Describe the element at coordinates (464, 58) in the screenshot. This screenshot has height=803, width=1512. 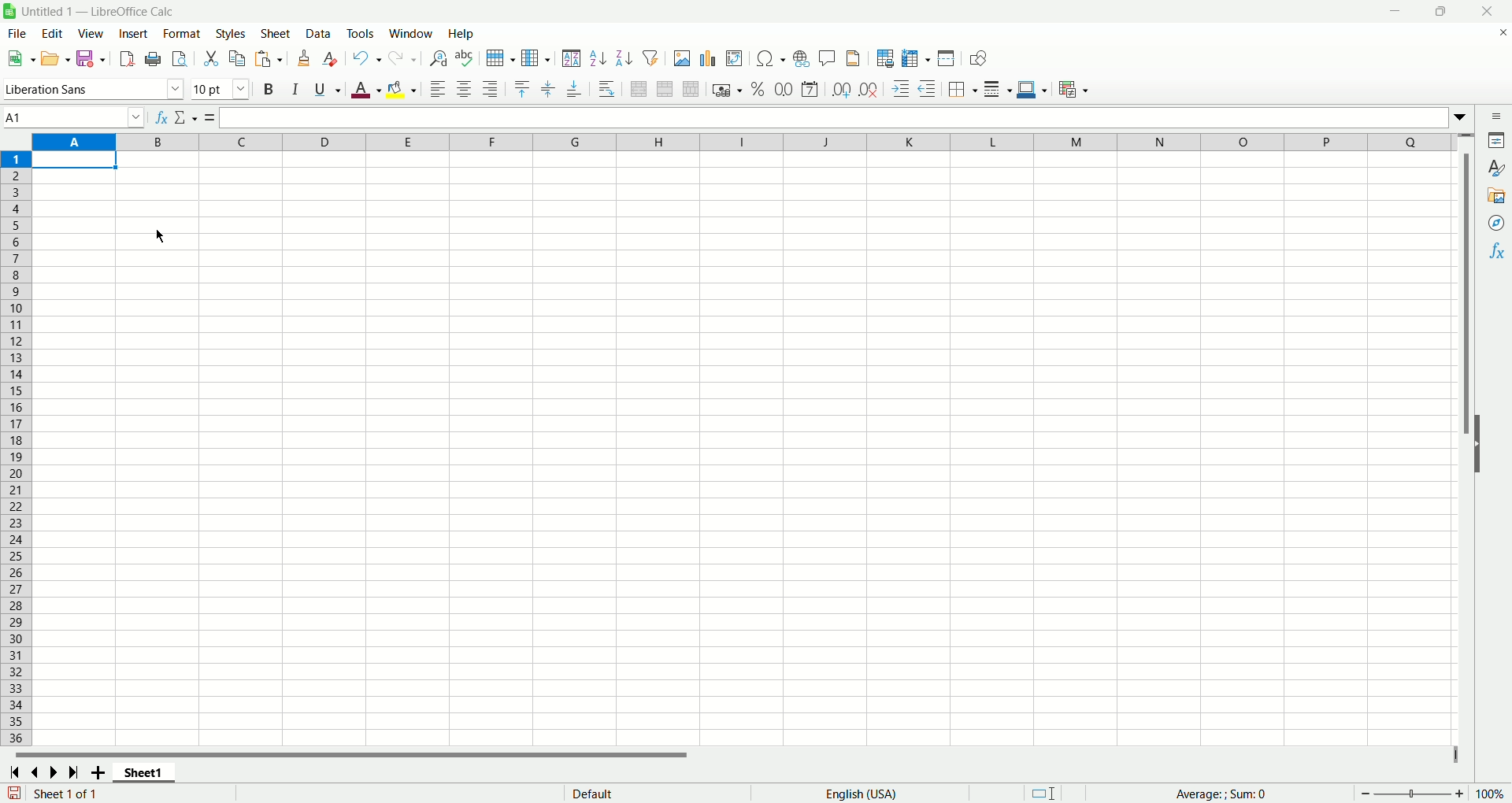
I see `spelling` at that location.